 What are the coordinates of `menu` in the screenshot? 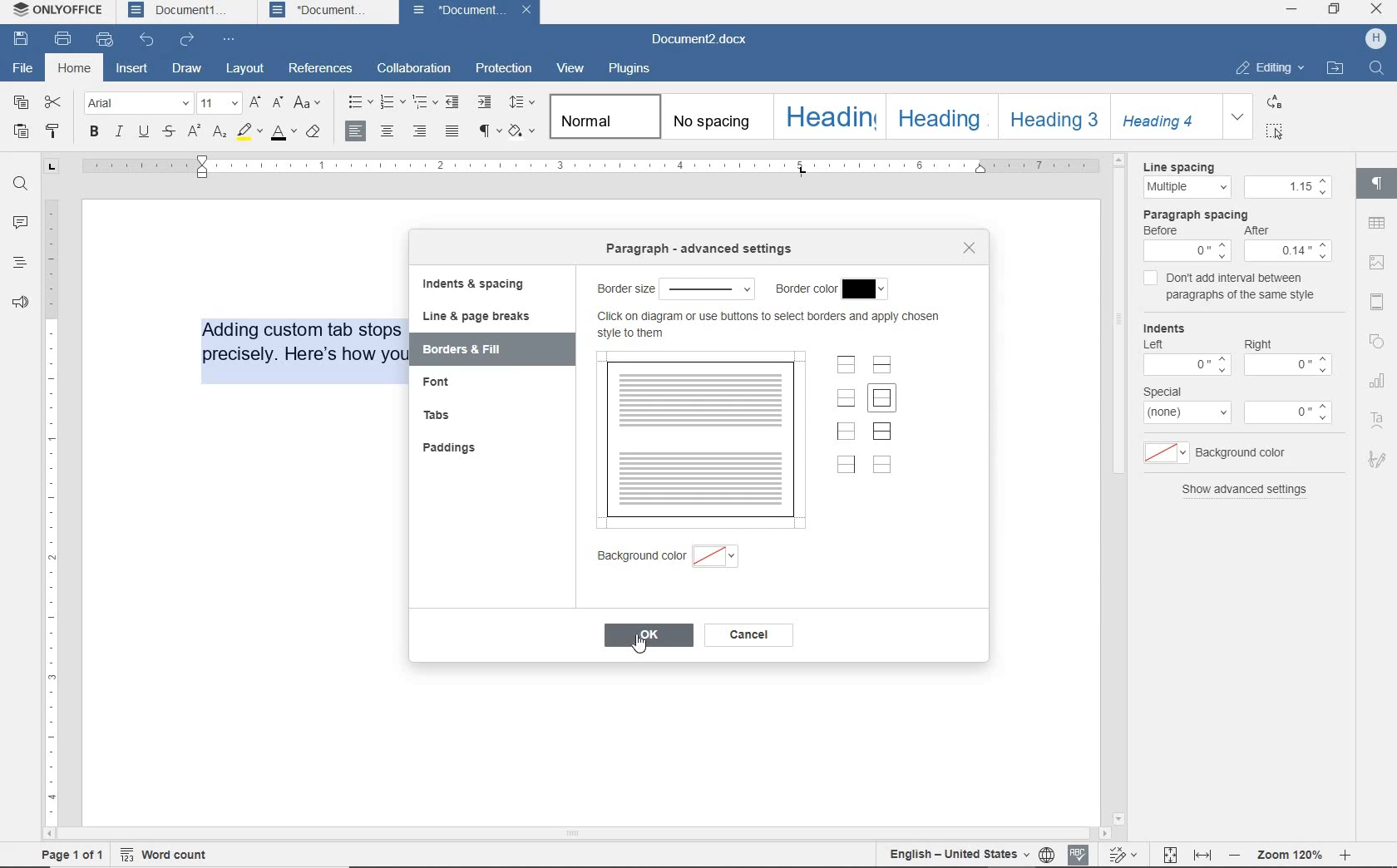 It's located at (1286, 367).